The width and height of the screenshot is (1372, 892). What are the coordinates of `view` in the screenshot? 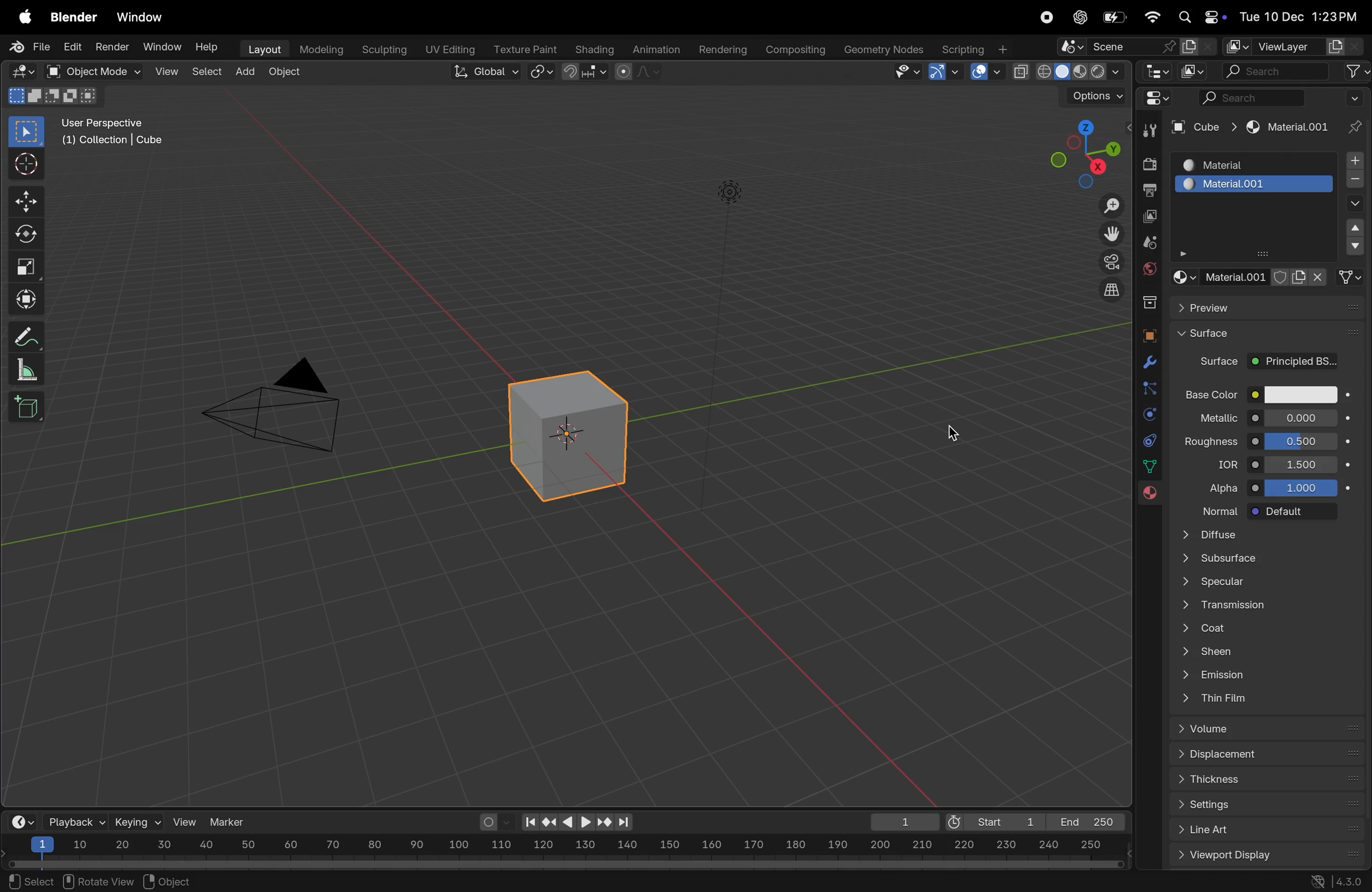 It's located at (186, 822).